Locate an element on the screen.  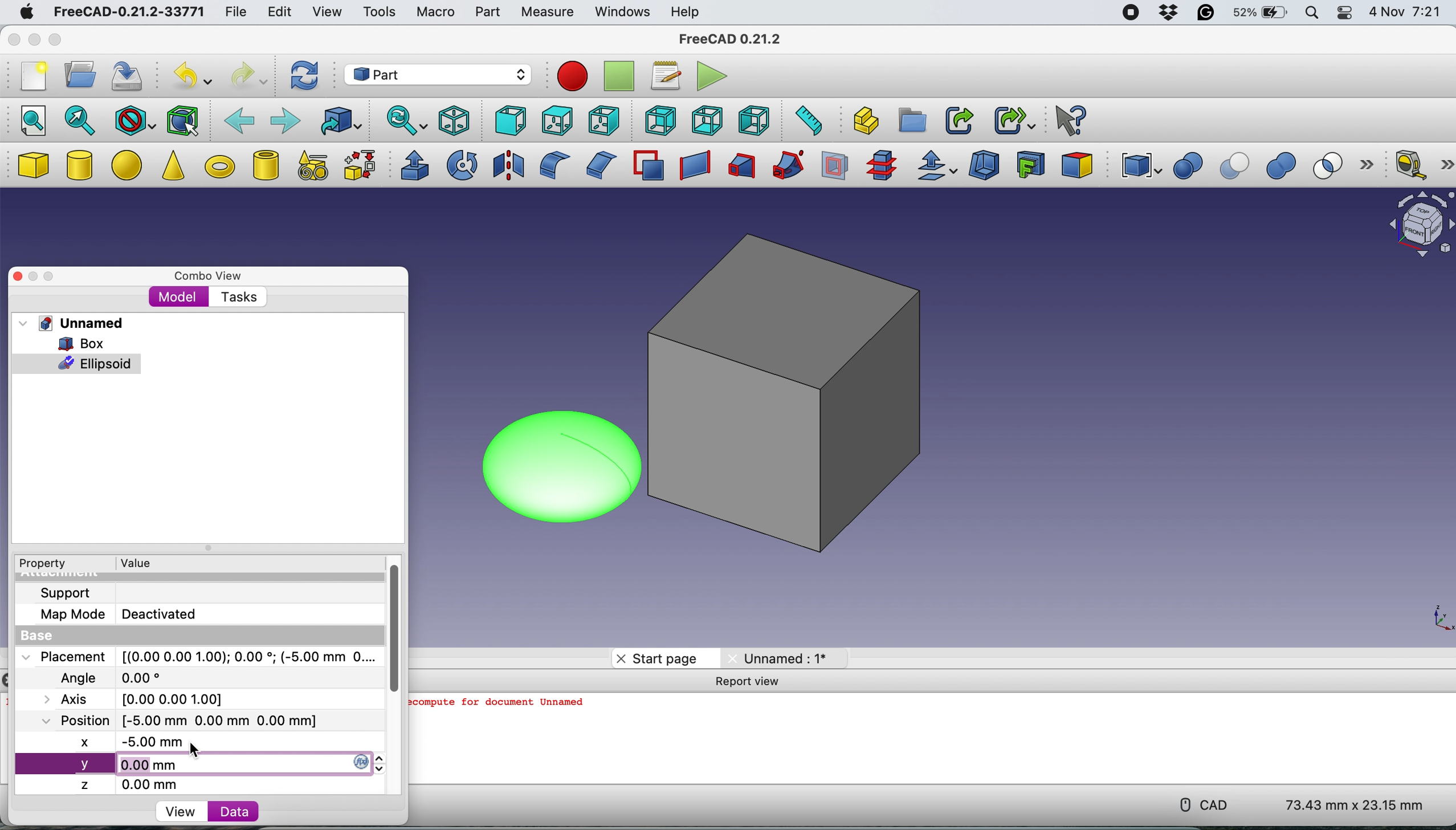
file is located at coordinates (236, 13).